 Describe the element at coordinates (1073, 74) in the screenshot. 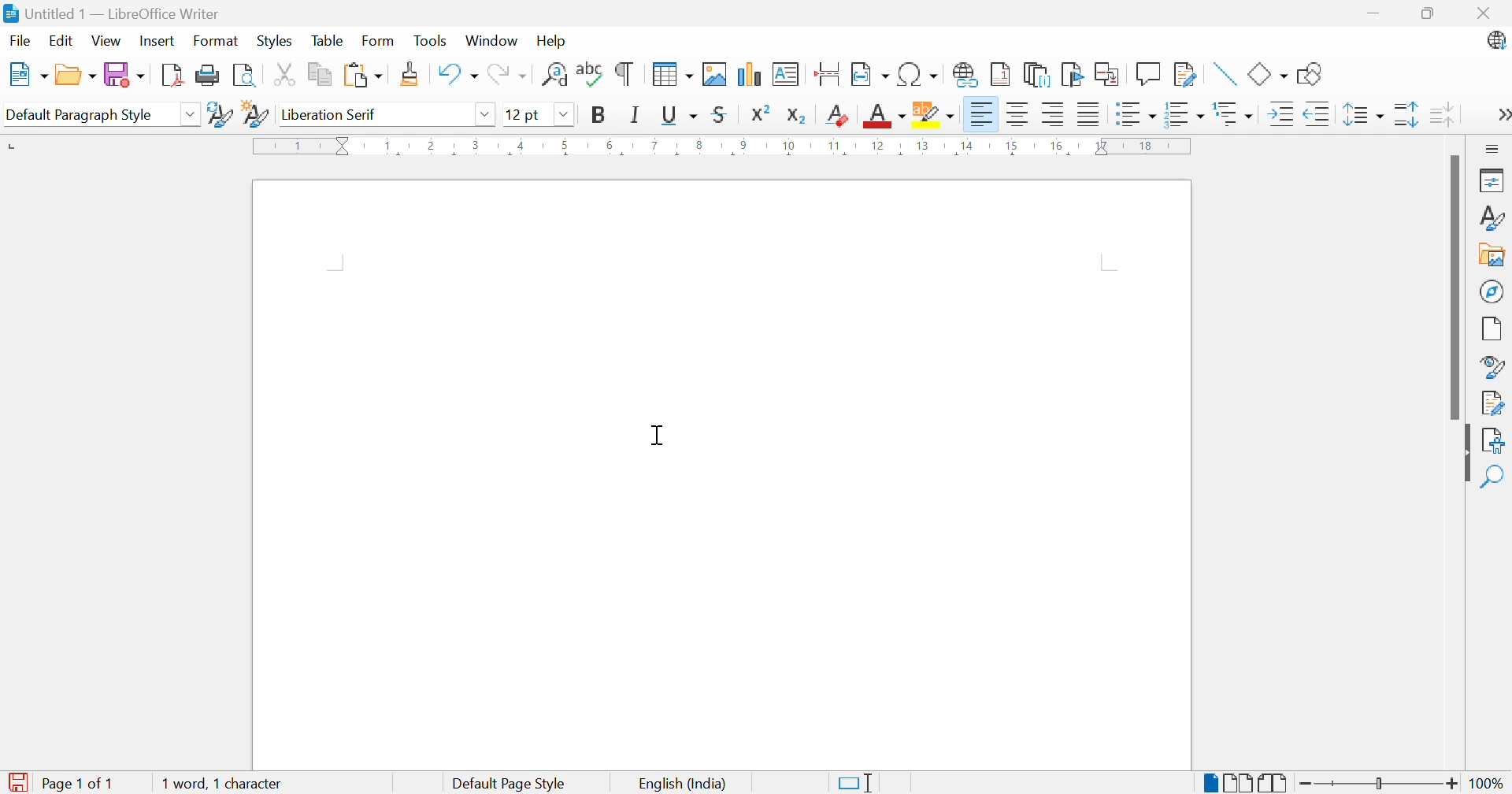

I see `Insert bookmark` at that location.